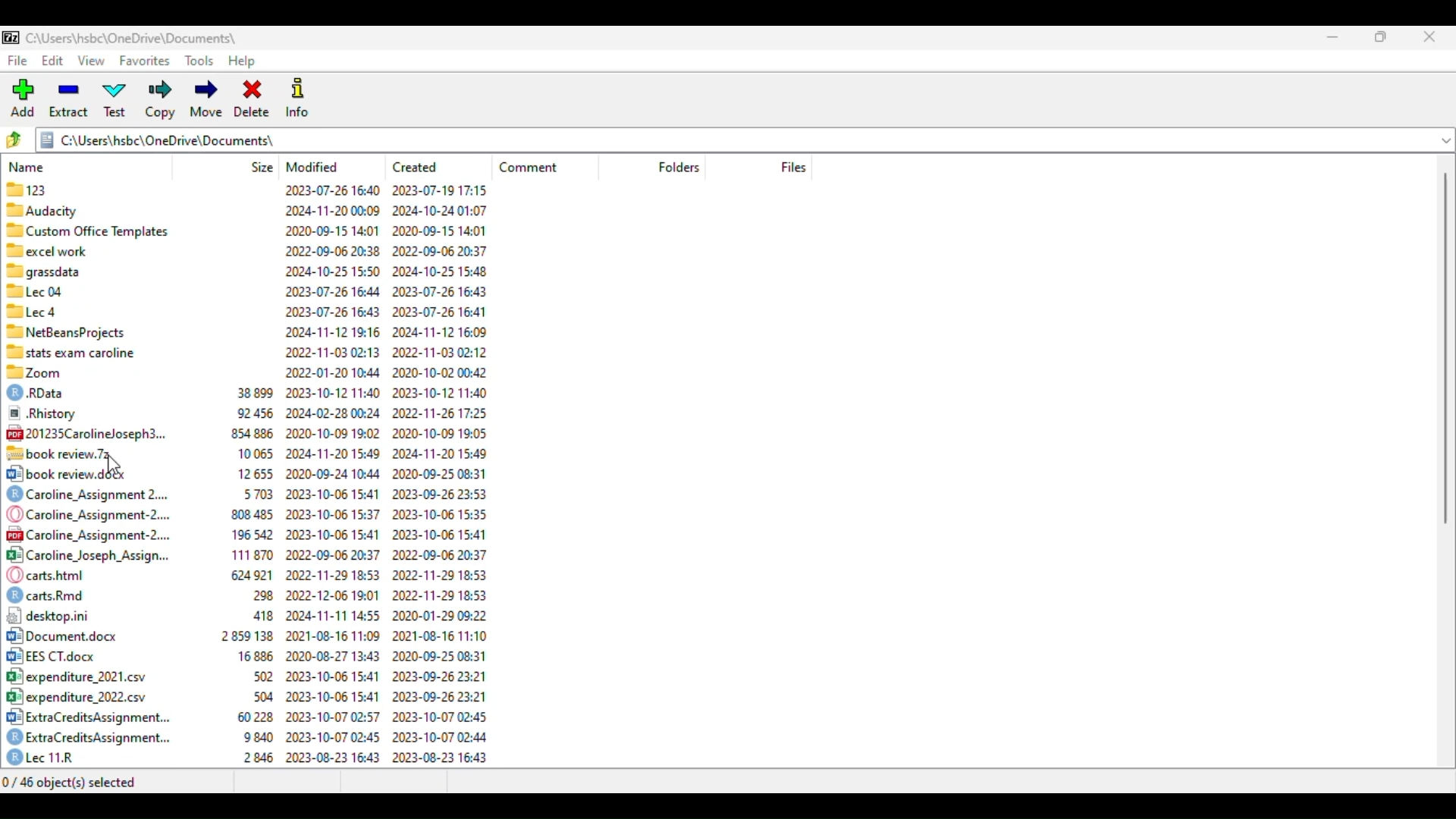 The width and height of the screenshot is (1456, 819). What do you see at coordinates (243, 391) in the screenshot?
I see `© RData 38899 2023-10-12 11:40 2023-10-12 11:40` at bounding box center [243, 391].